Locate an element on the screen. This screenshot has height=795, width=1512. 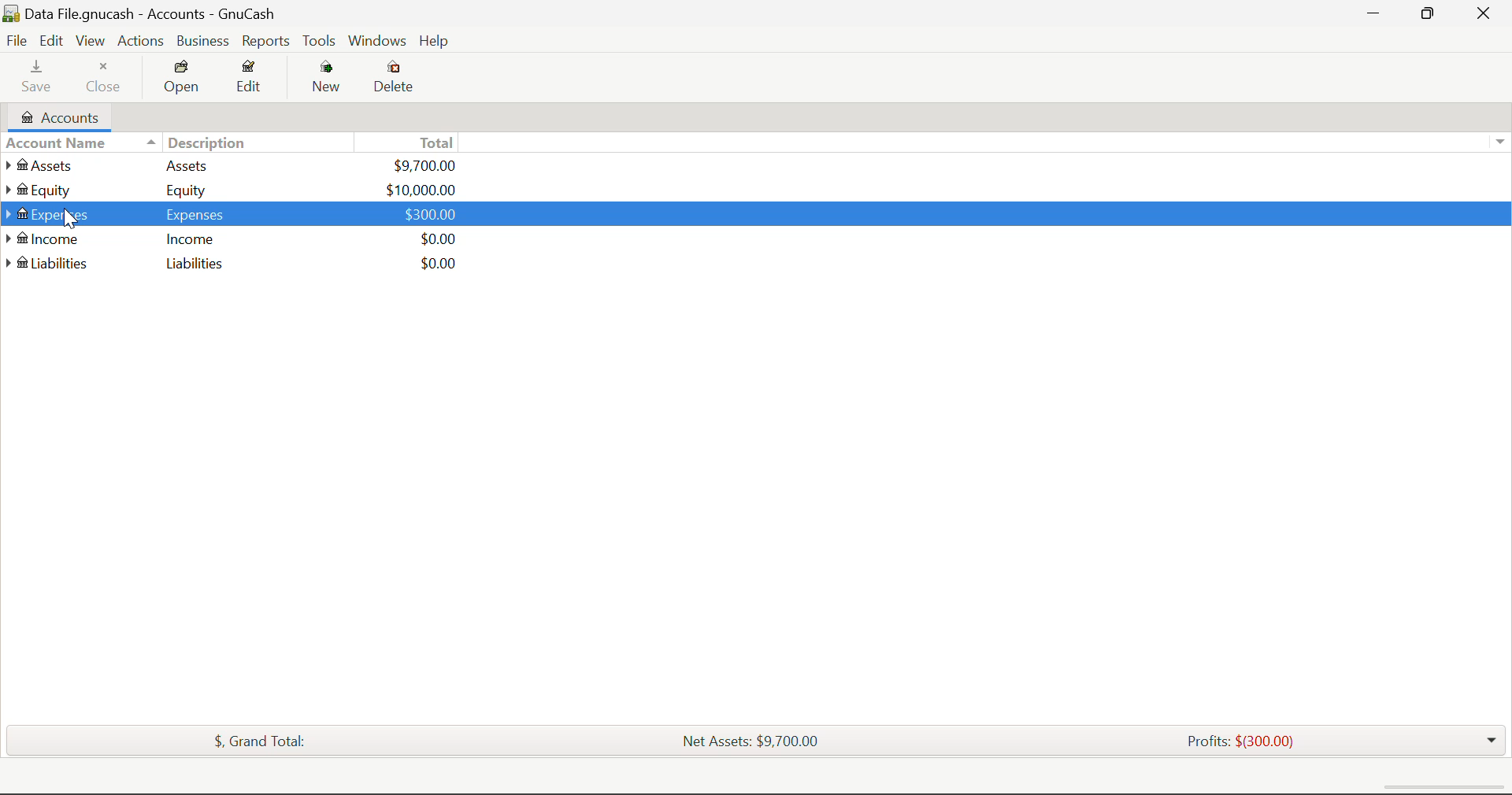
Account Name is located at coordinates (60, 144).